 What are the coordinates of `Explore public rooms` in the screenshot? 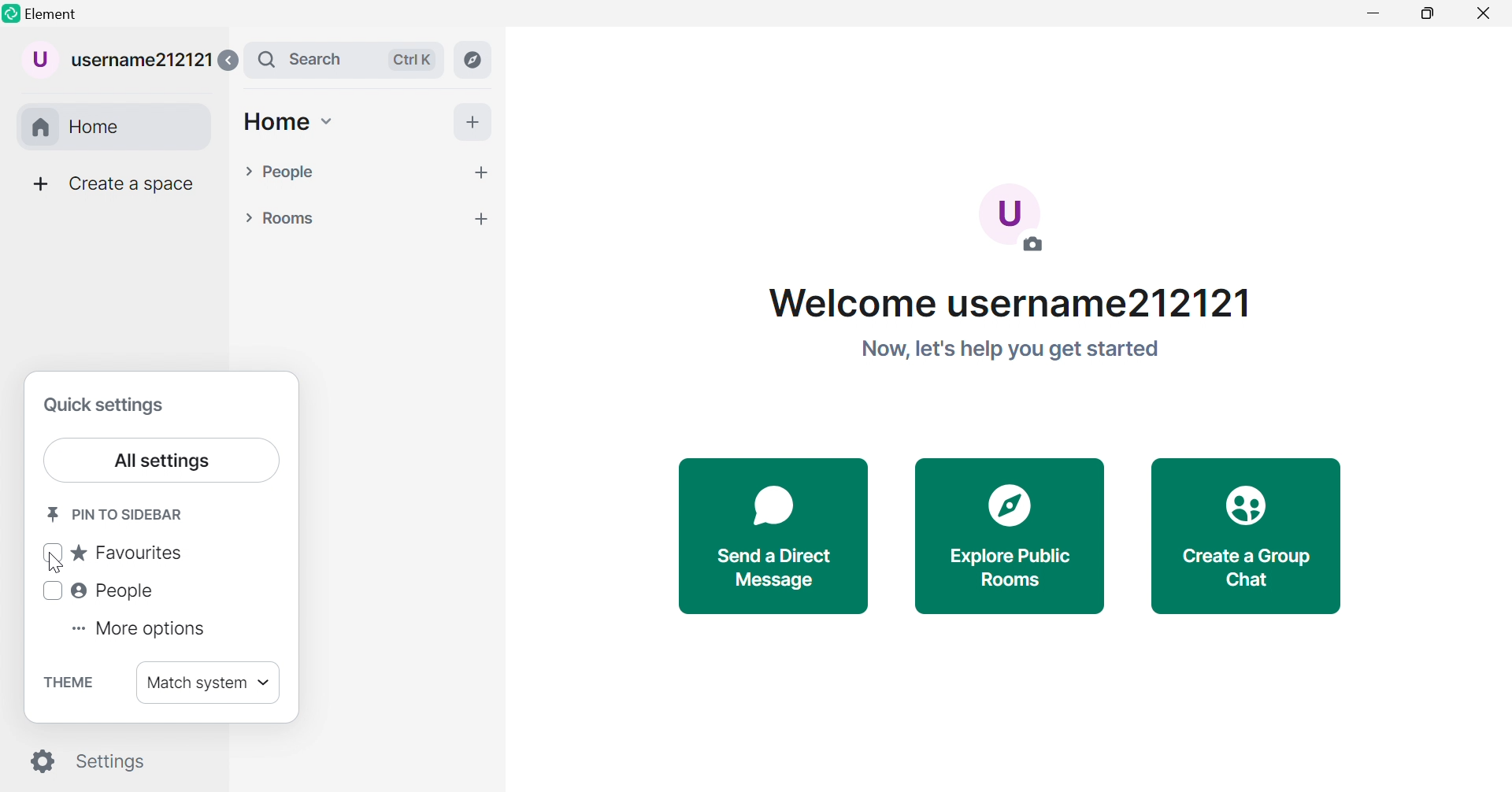 It's located at (1011, 568).